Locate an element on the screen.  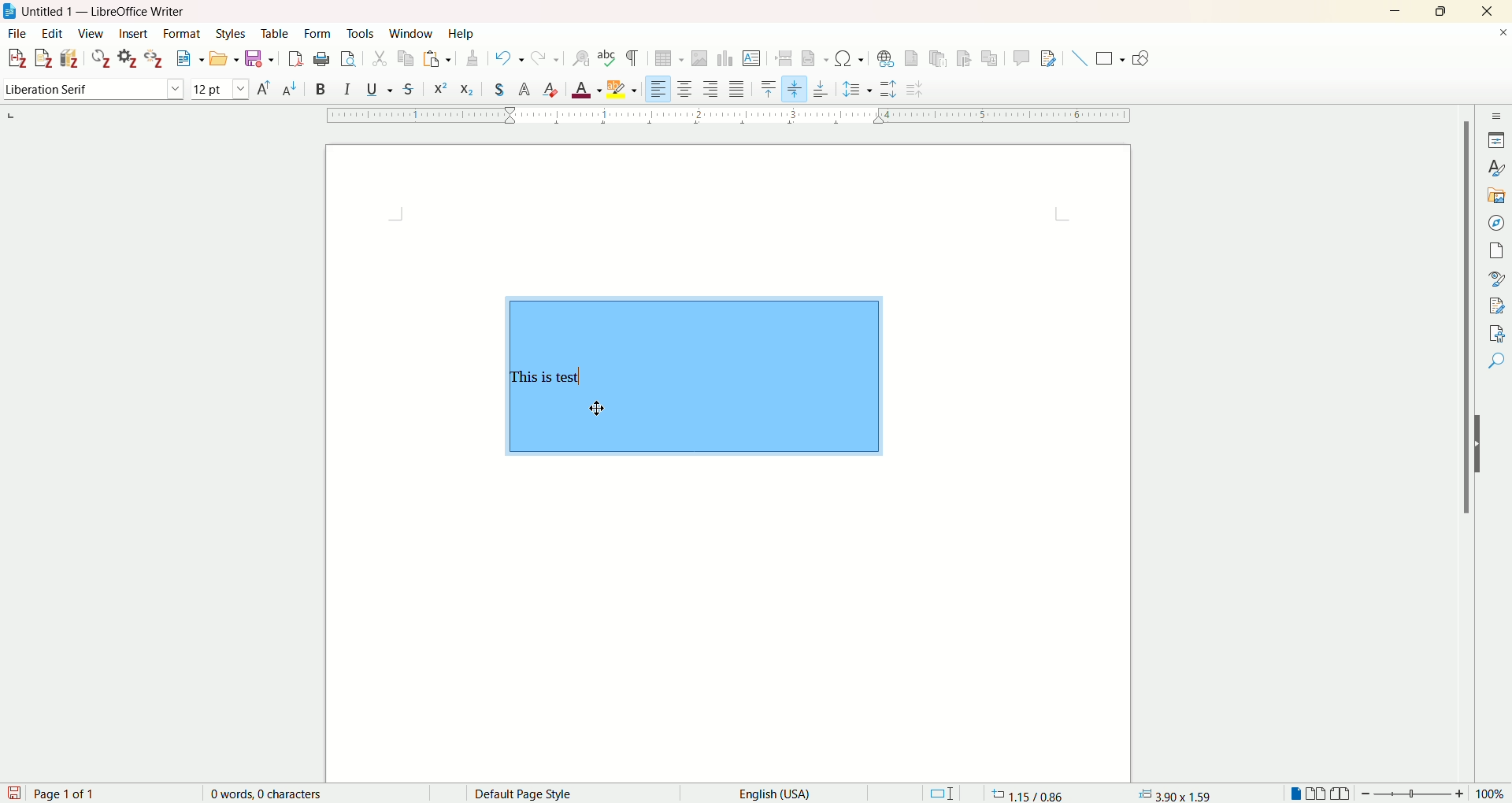
rotate is located at coordinates (928, 88).